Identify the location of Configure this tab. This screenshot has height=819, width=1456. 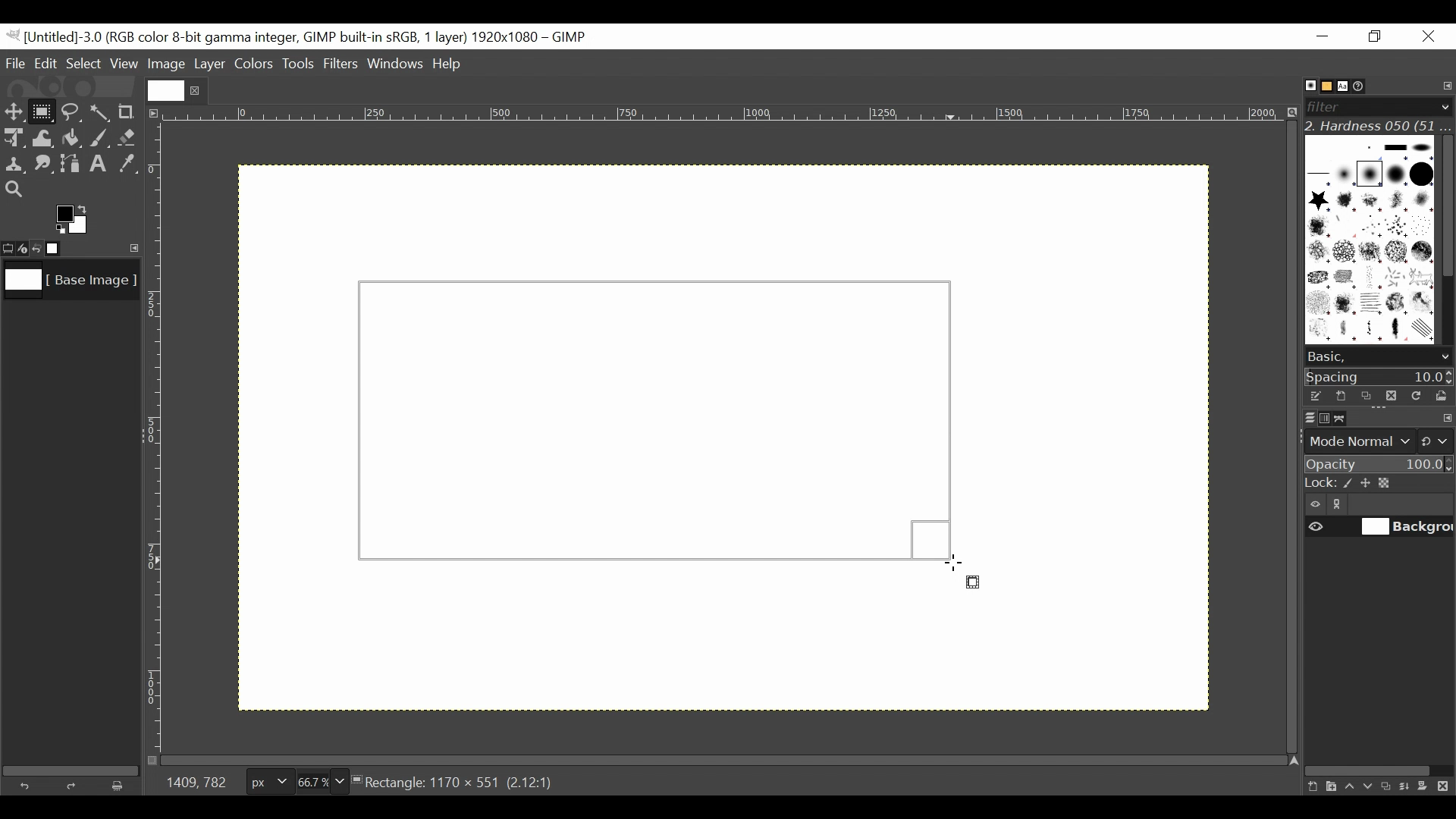
(131, 247).